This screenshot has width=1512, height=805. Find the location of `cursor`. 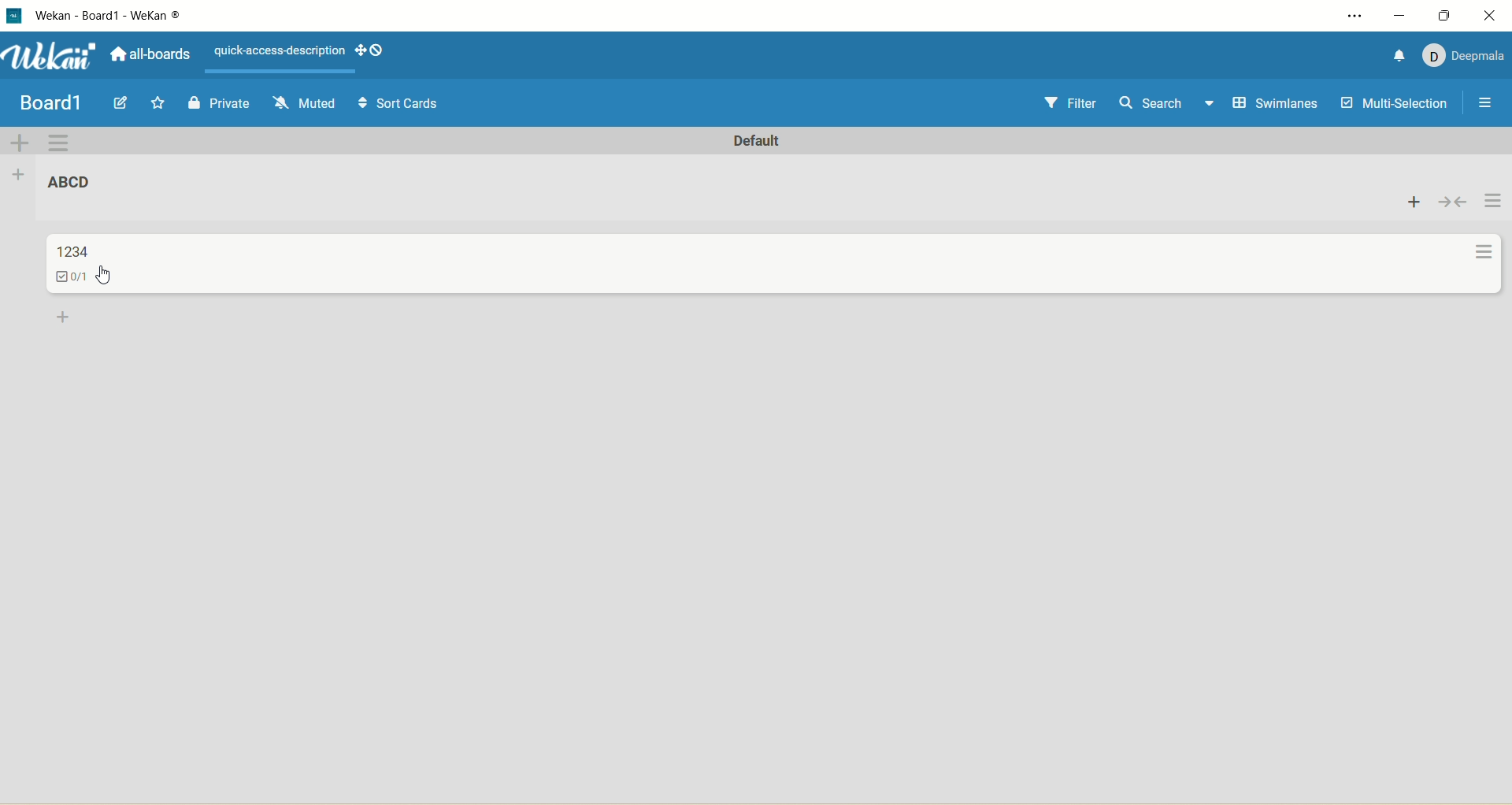

cursor is located at coordinates (111, 276).